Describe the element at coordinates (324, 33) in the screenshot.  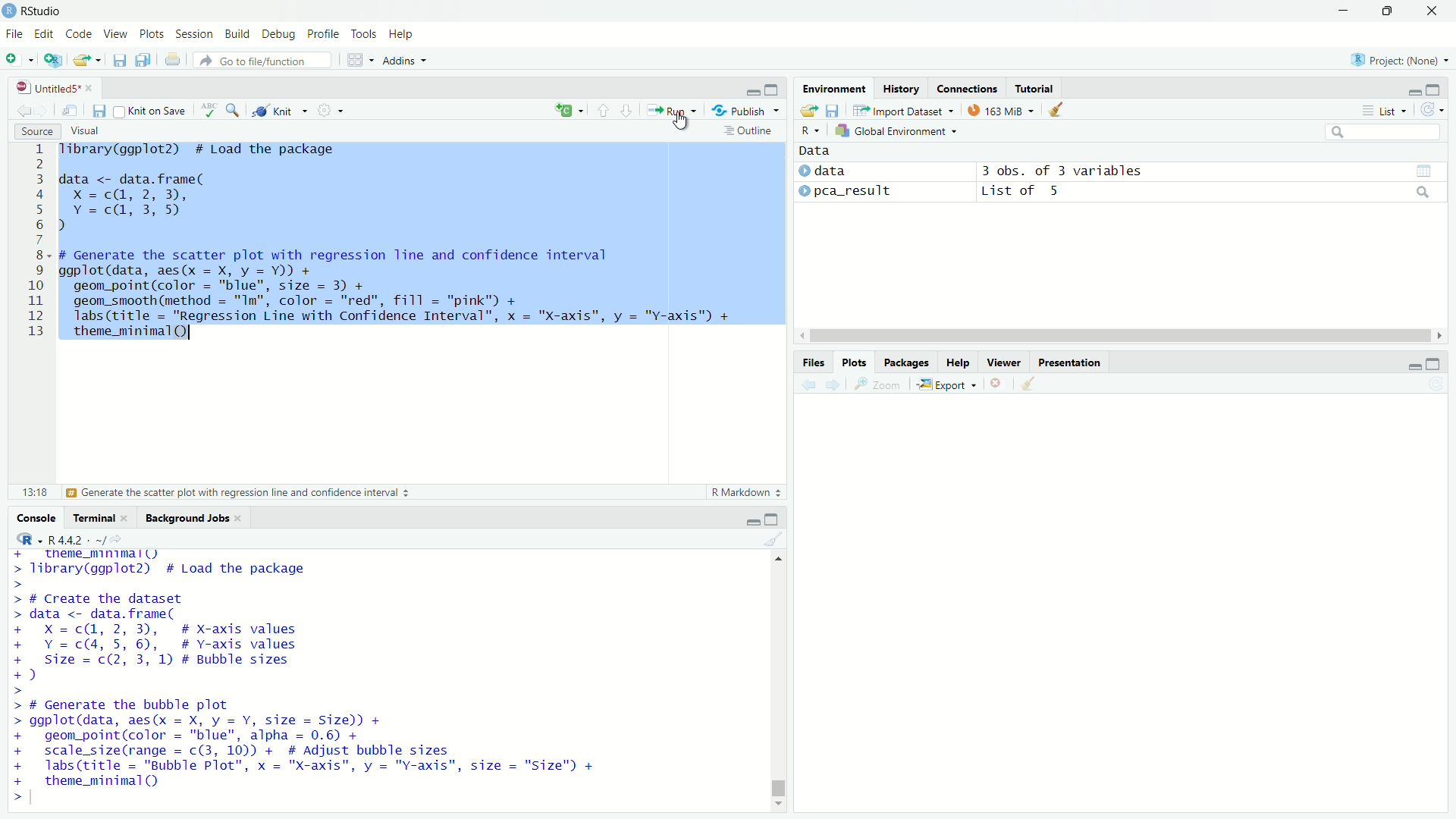
I see `Profile` at that location.